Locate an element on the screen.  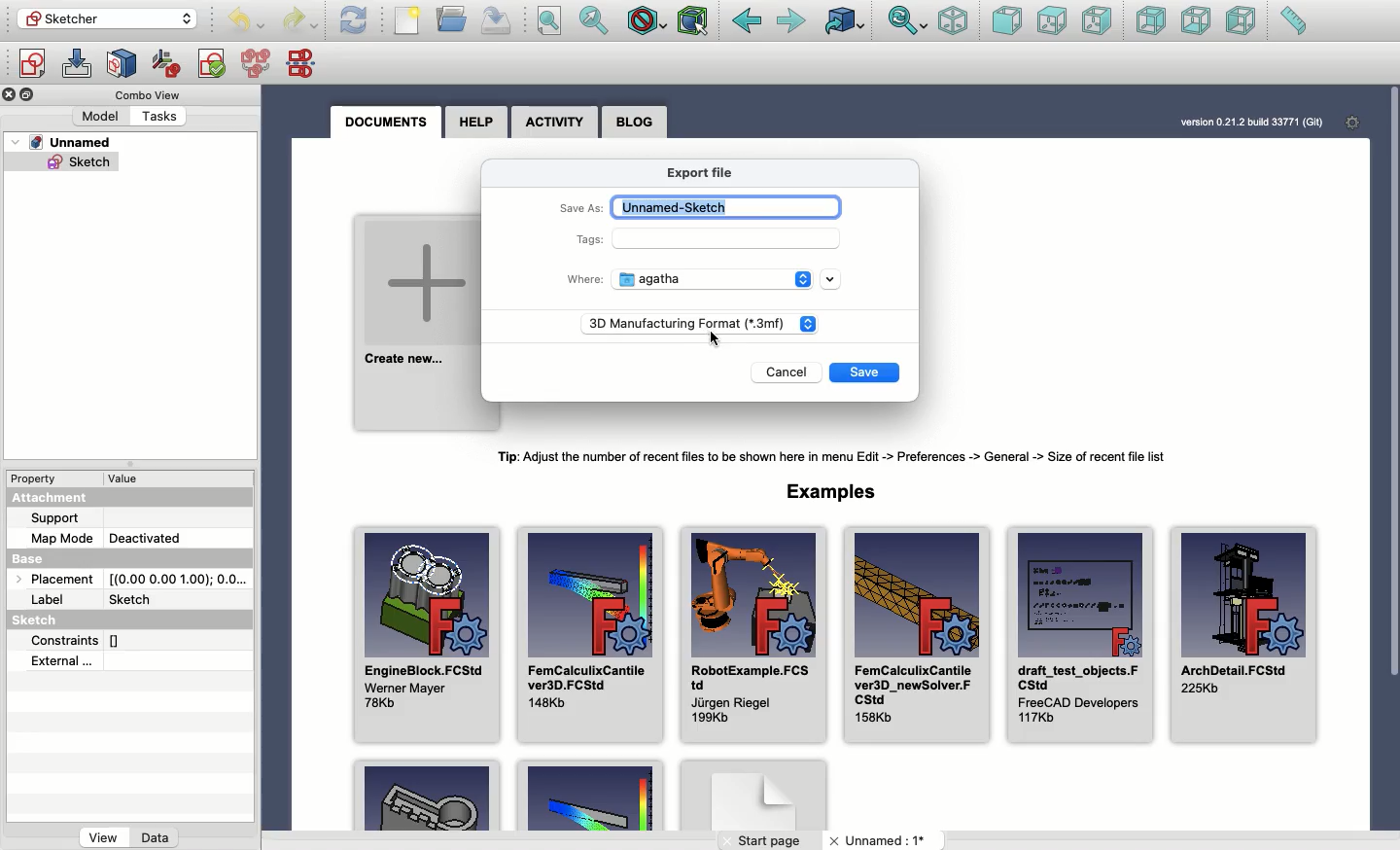
Placement [(0.00 0.00 1.00); 0.0... is located at coordinates (136, 582).